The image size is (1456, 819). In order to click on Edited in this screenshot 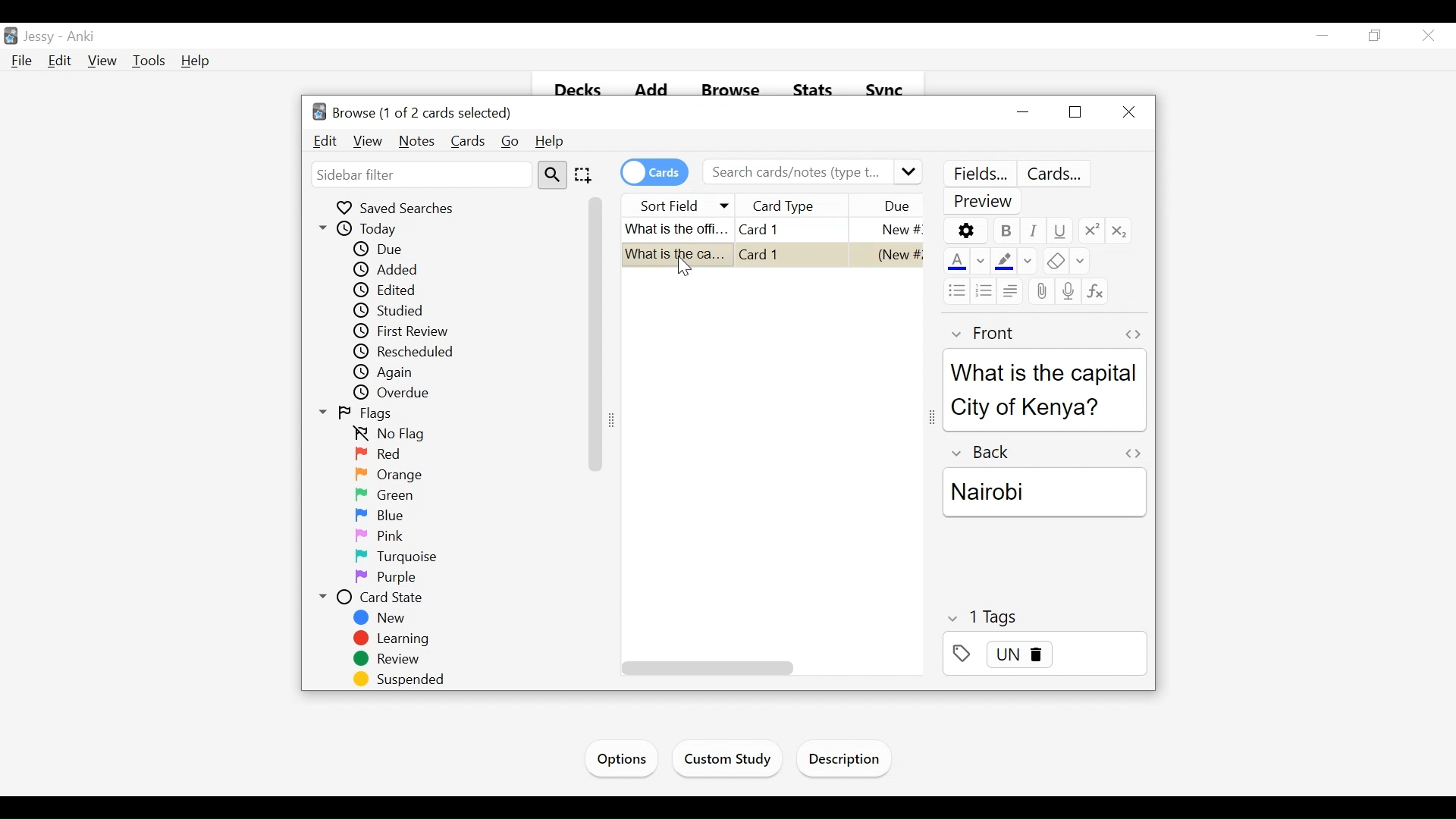, I will do `click(391, 290)`.